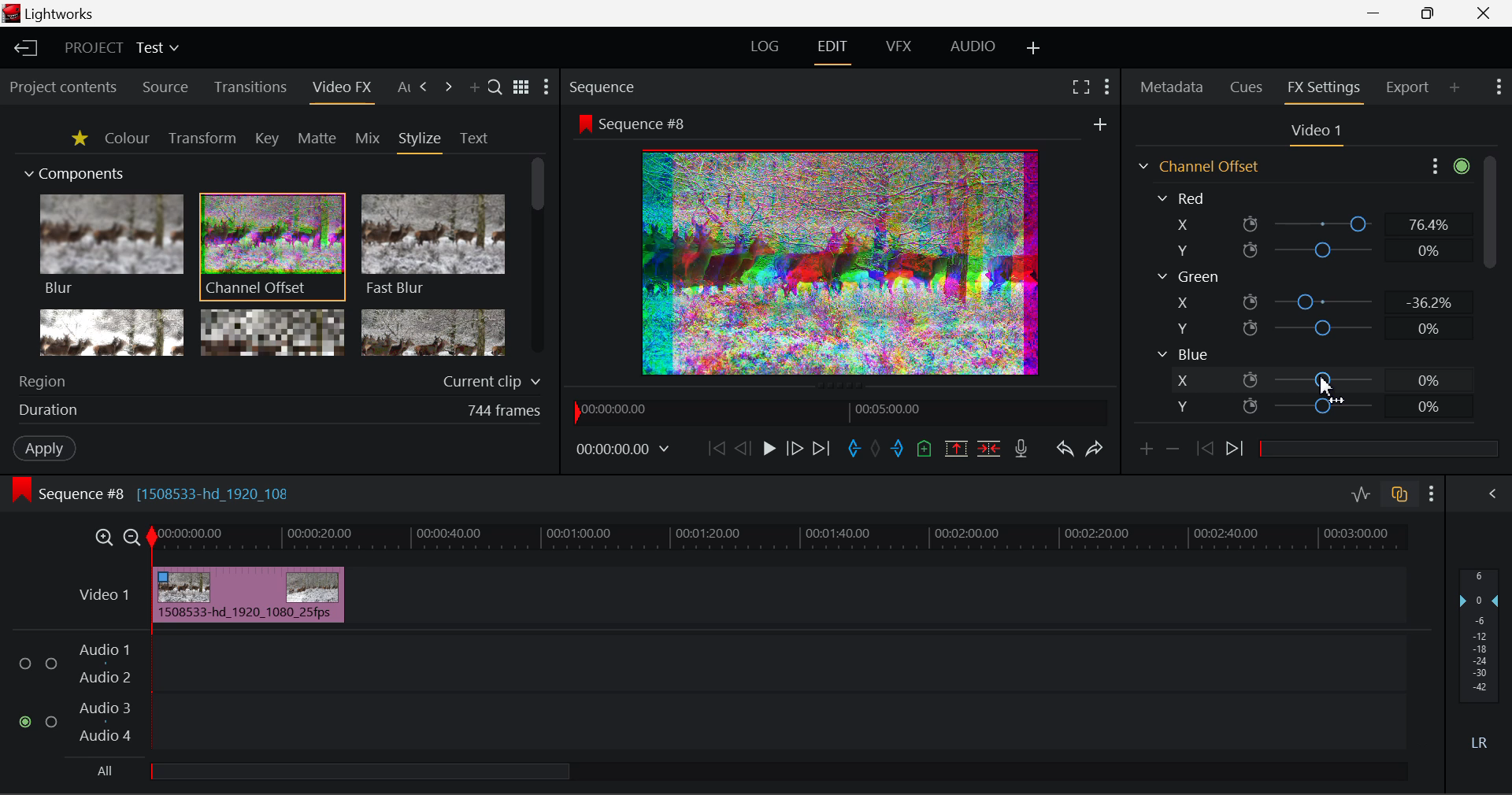 The width and height of the screenshot is (1512, 795). Describe the element at coordinates (1067, 451) in the screenshot. I see `Undo` at that location.